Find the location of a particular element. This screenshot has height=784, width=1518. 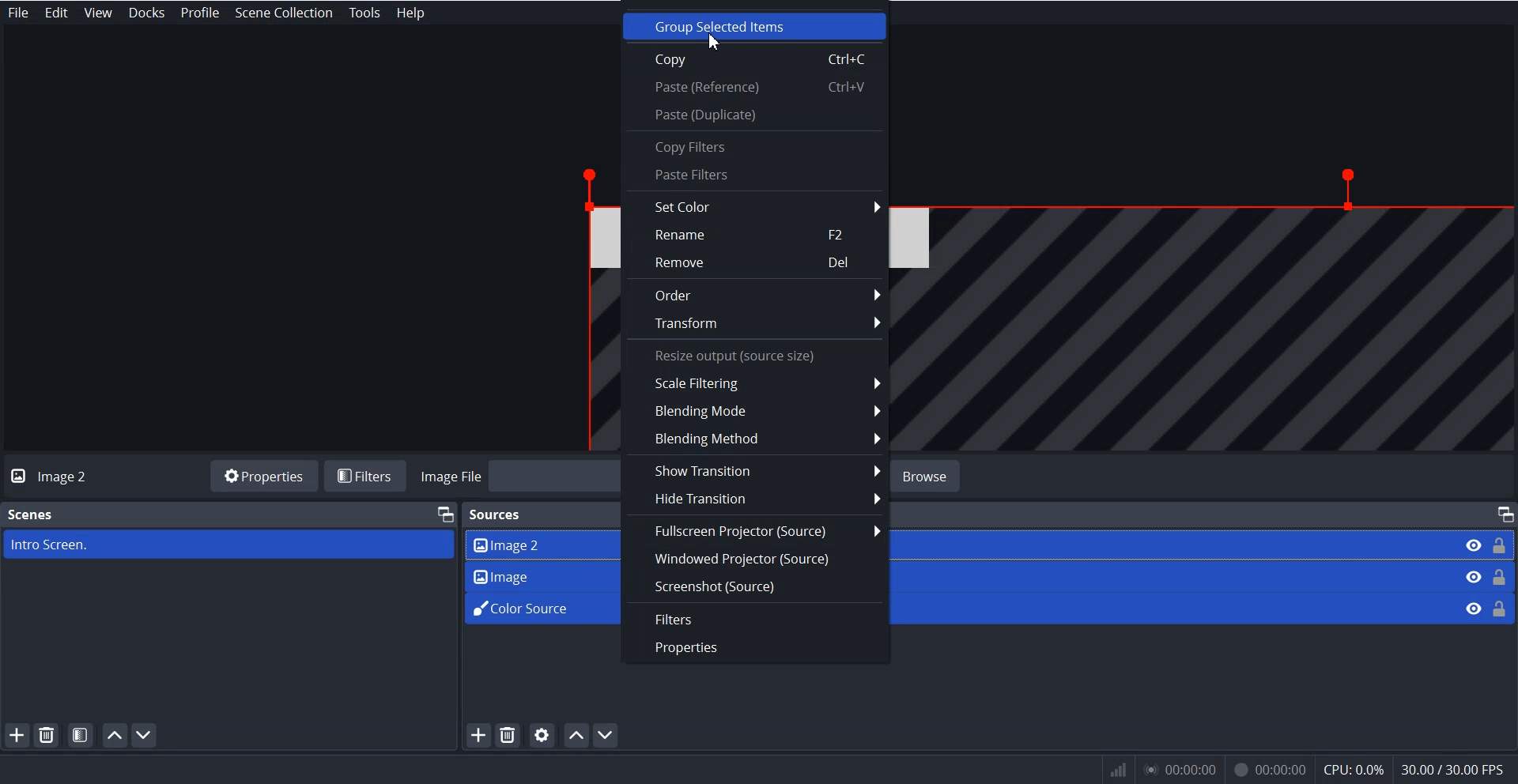

Scale Filtering is located at coordinates (754, 383).